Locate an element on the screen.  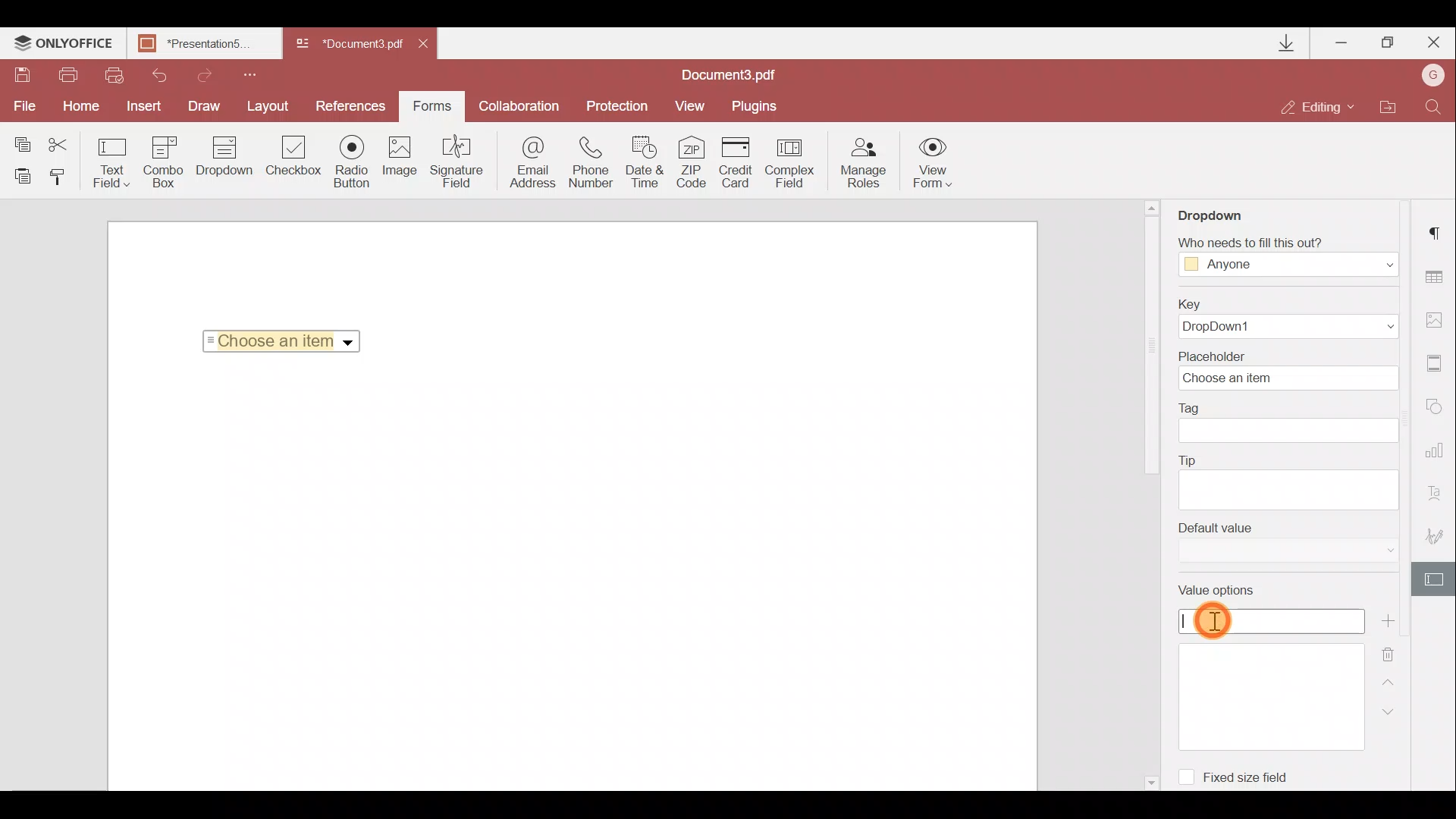
Up is located at coordinates (1392, 680).